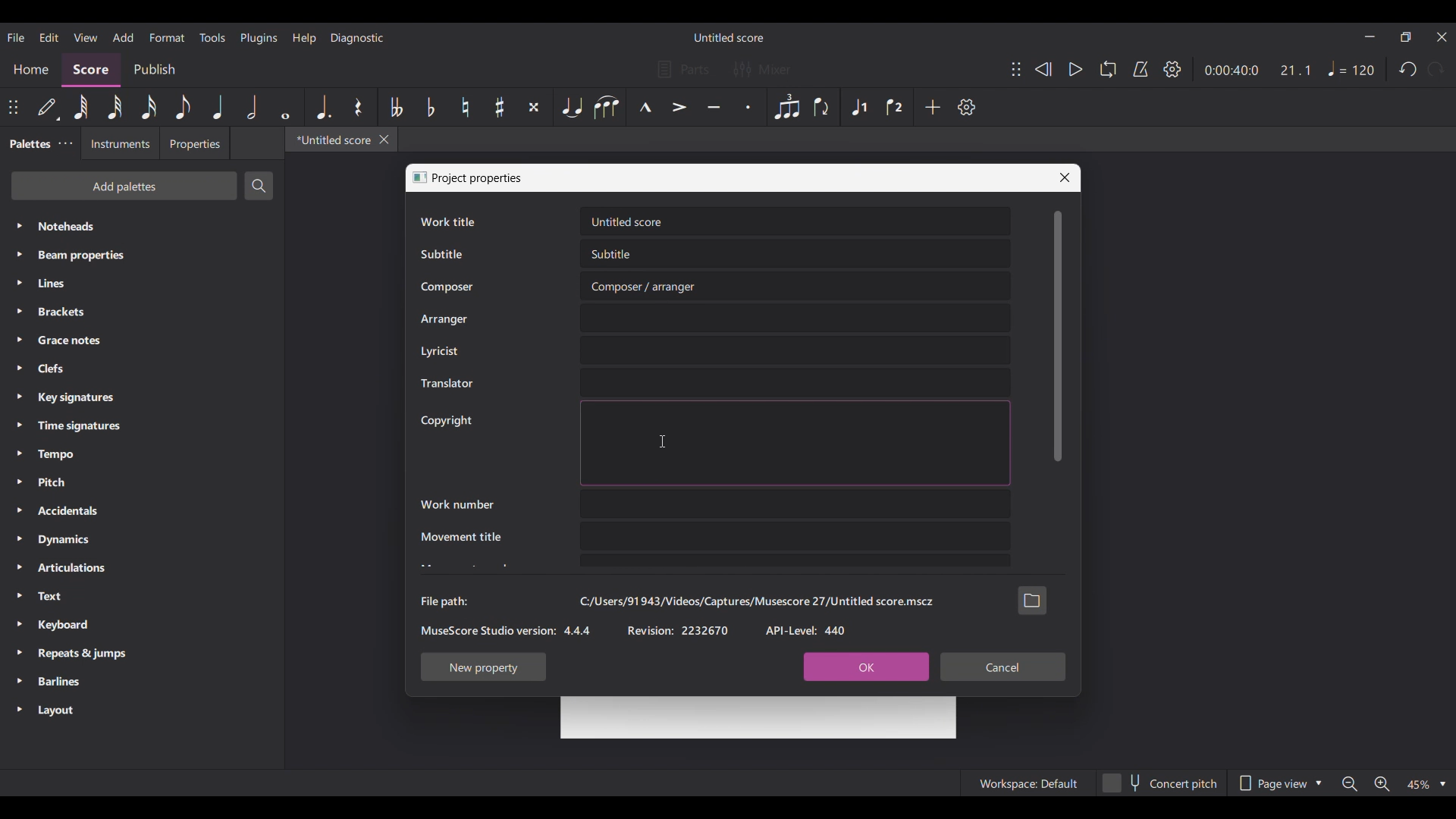  Describe the element at coordinates (824, 107) in the screenshot. I see `Flip direction` at that location.